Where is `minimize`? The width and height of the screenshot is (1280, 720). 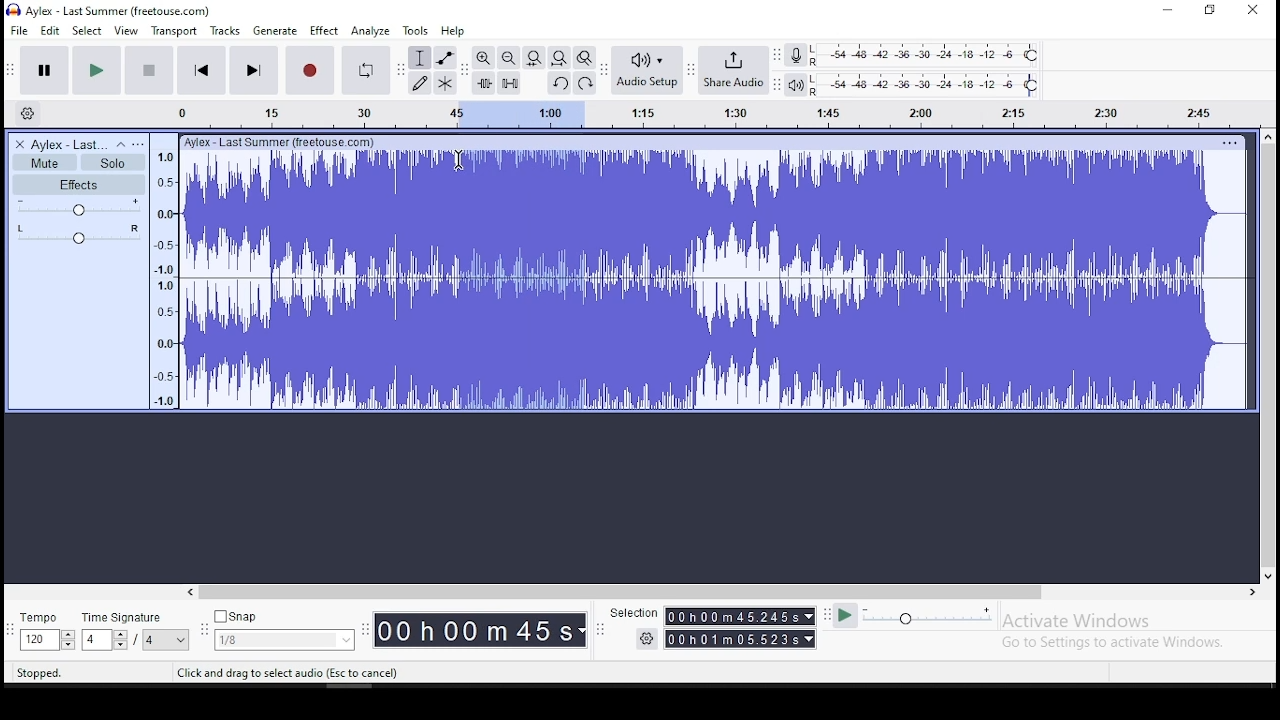
minimize is located at coordinates (1168, 10).